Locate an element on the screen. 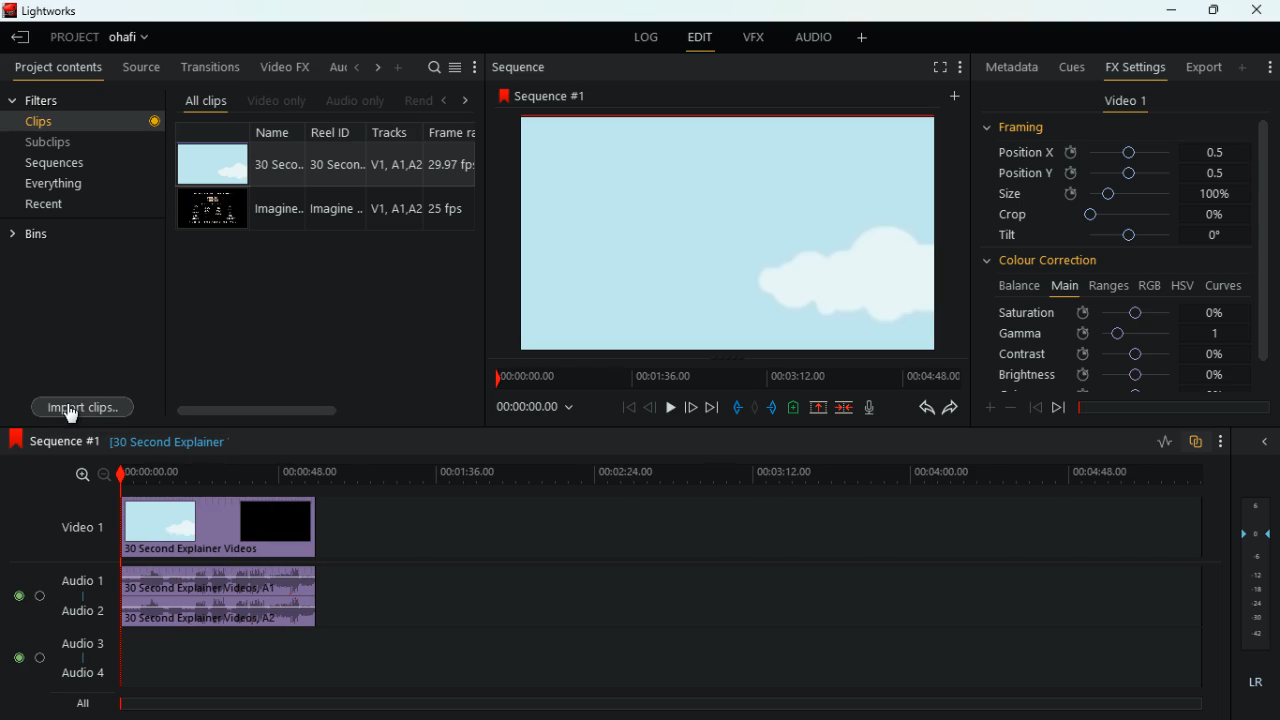 This screenshot has width=1280, height=720. more is located at coordinates (475, 66).